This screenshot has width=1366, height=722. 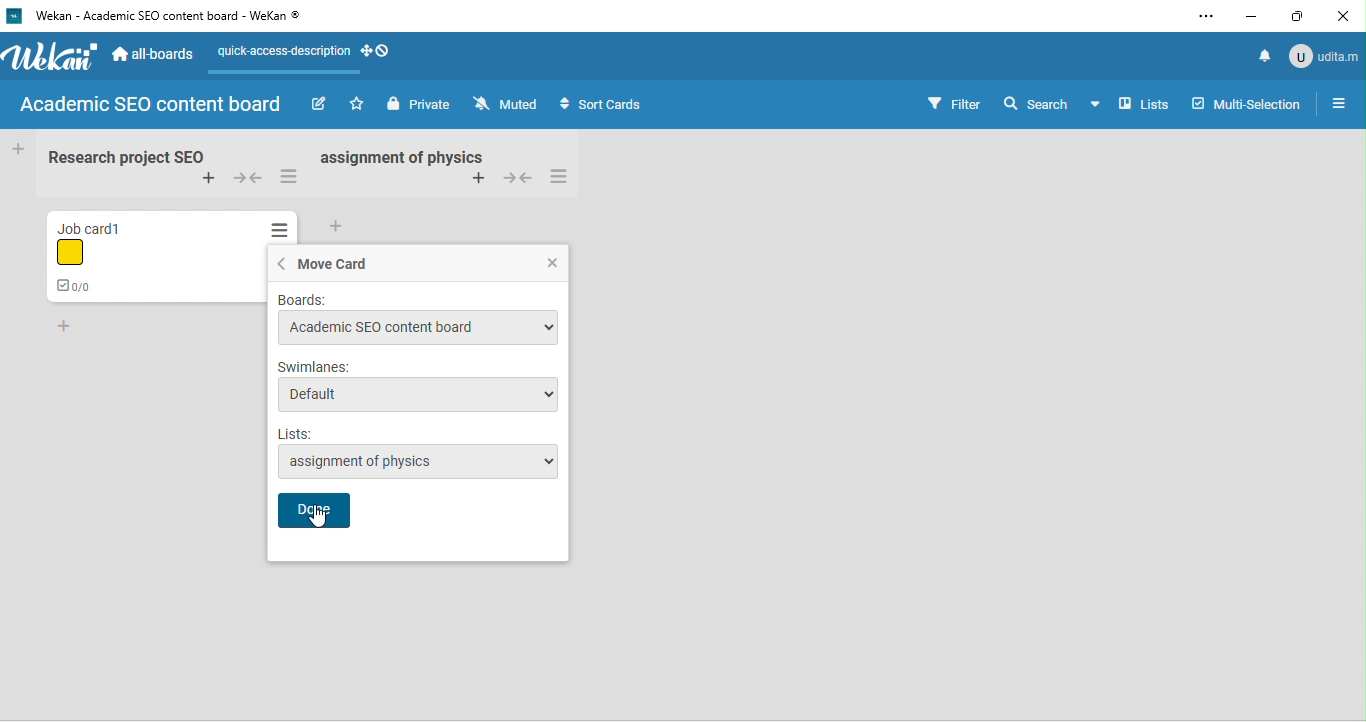 I want to click on boards options, so click(x=415, y=328).